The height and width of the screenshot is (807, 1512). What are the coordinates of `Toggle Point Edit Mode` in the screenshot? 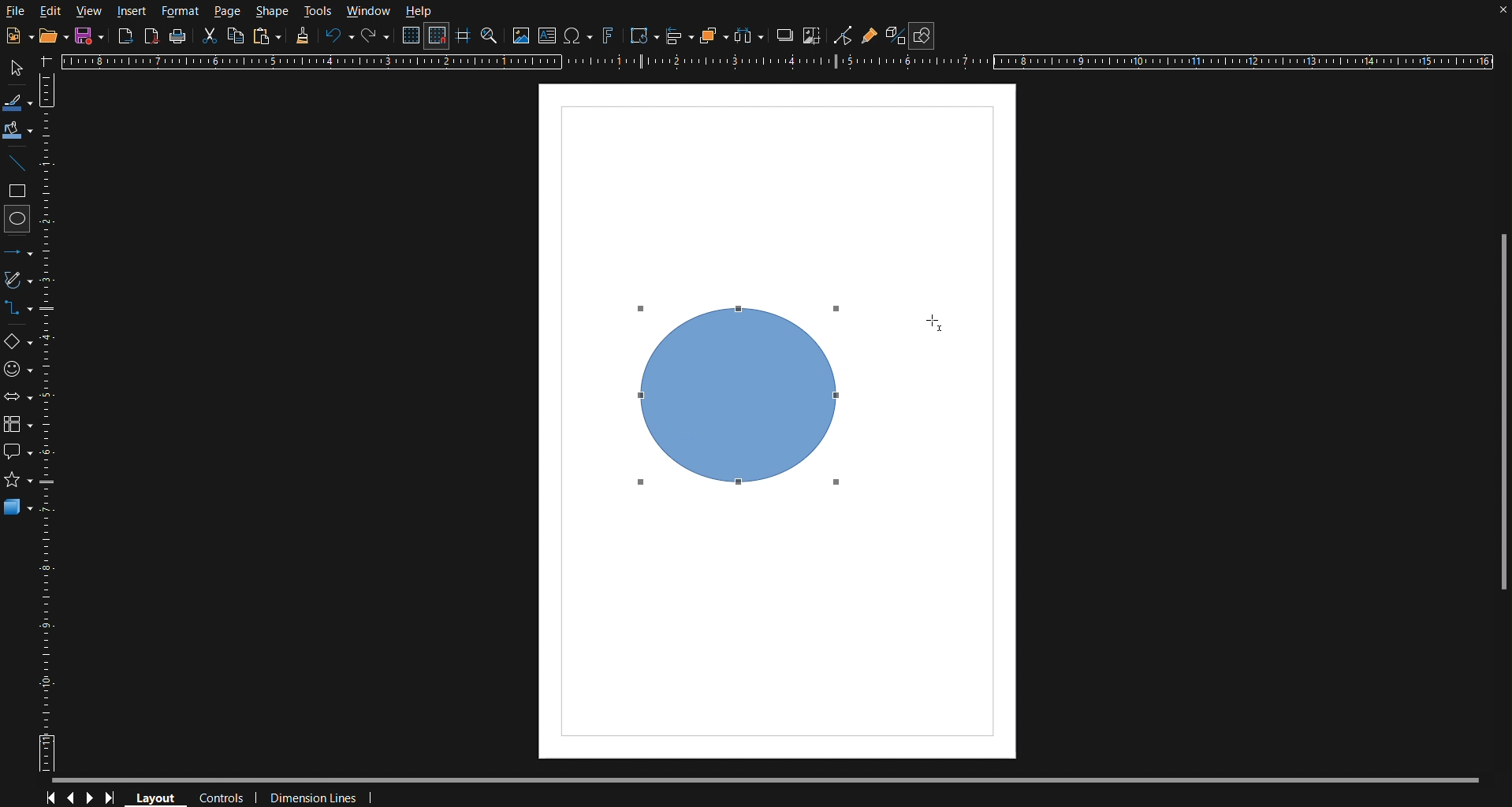 It's located at (844, 37).